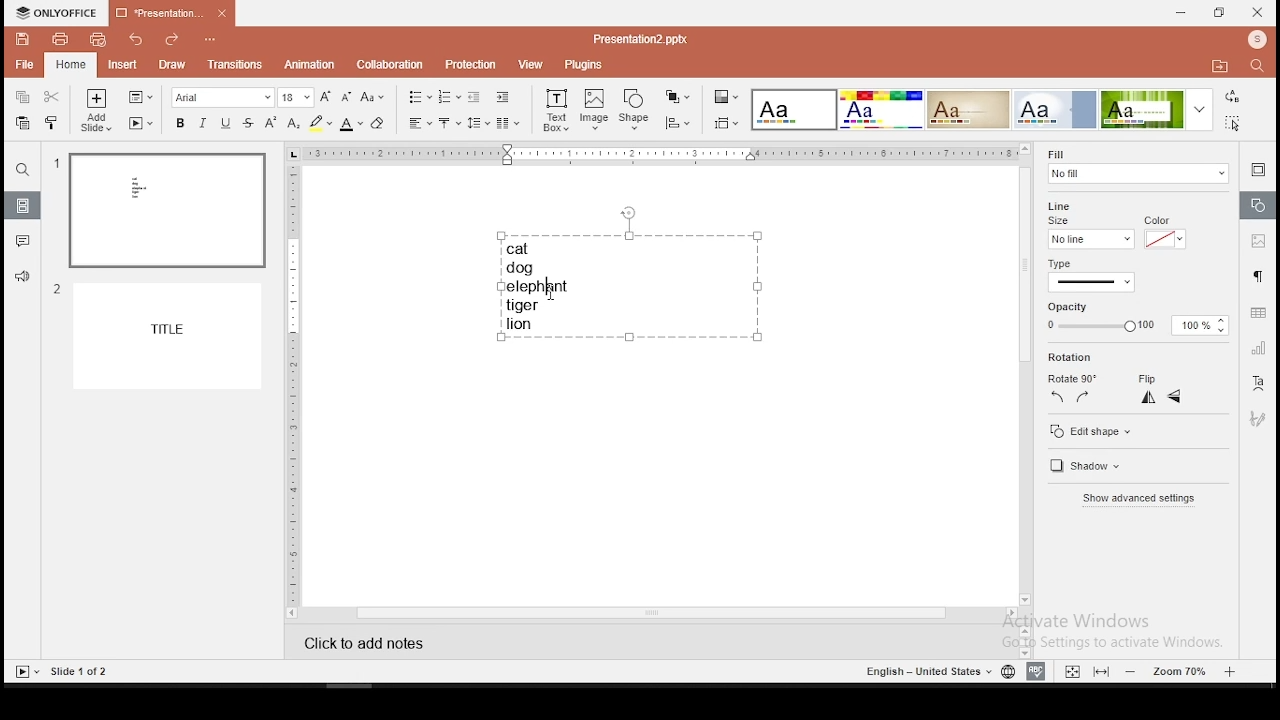 The width and height of the screenshot is (1280, 720). Describe the element at coordinates (297, 97) in the screenshot. I see `font size` at that location.